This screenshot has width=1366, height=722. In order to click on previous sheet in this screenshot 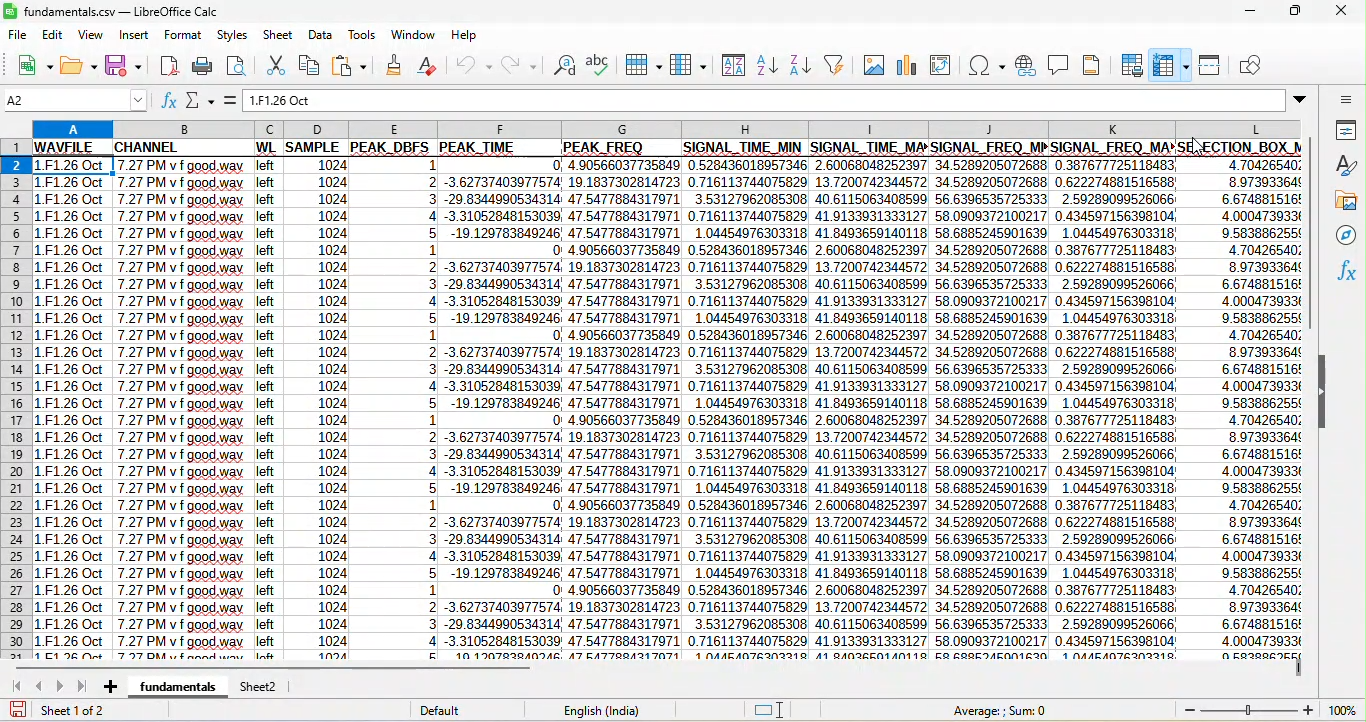, I will do `click(41, 684)`.